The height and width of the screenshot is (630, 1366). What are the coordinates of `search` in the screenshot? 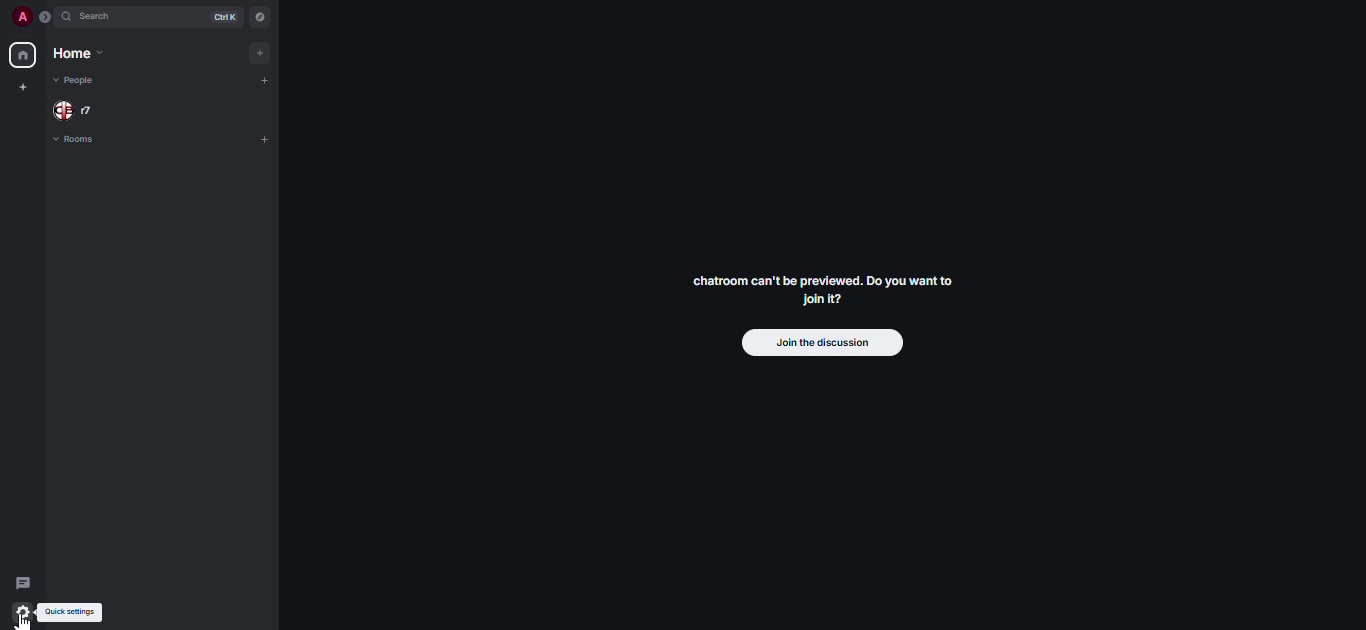 It's located at (95, 16).